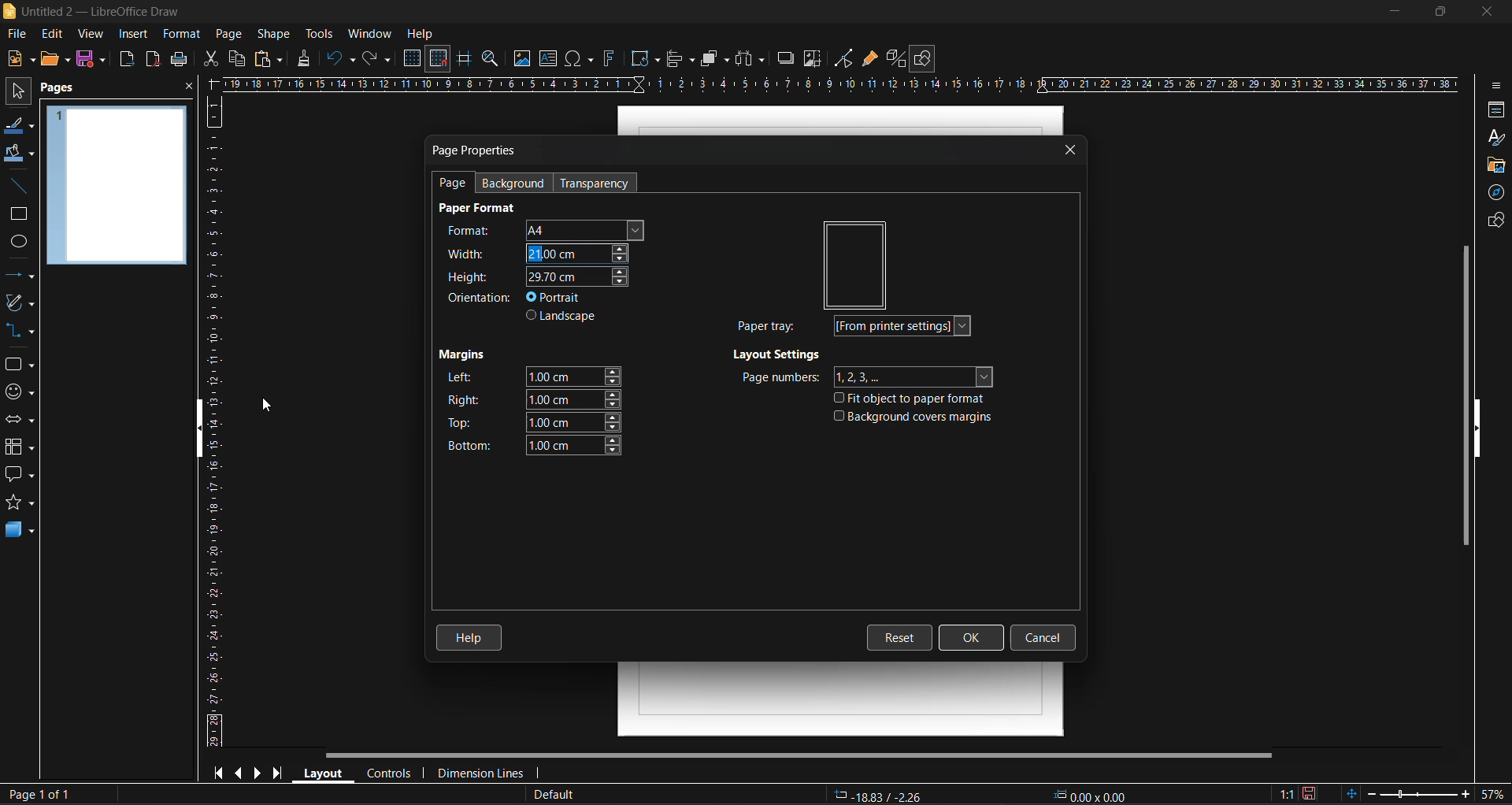  Describe the element at coordinates (17, 61) in the screenshot. I see `new` at that location.